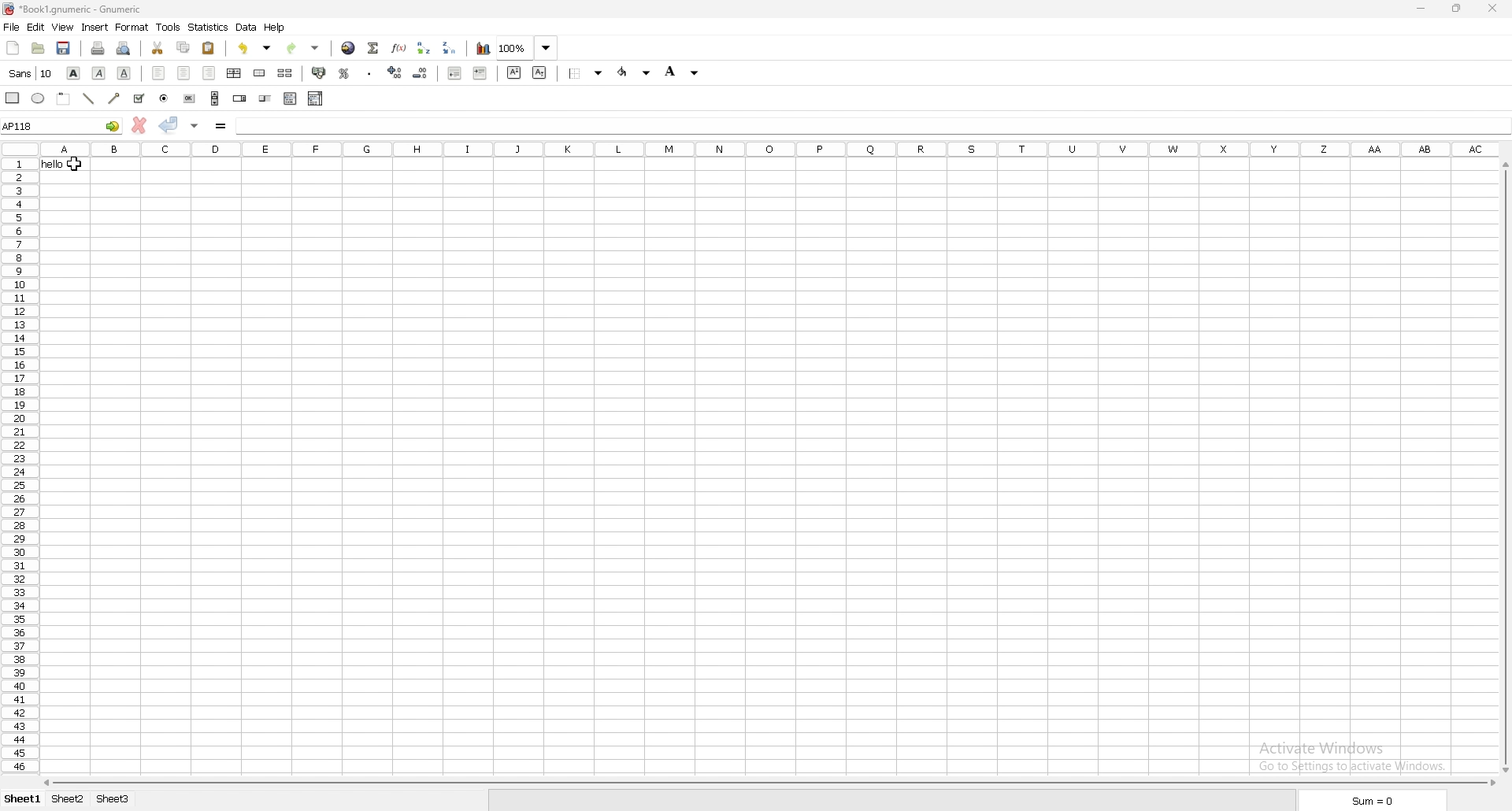  I want to click on arrowed line, so click(115, 98).